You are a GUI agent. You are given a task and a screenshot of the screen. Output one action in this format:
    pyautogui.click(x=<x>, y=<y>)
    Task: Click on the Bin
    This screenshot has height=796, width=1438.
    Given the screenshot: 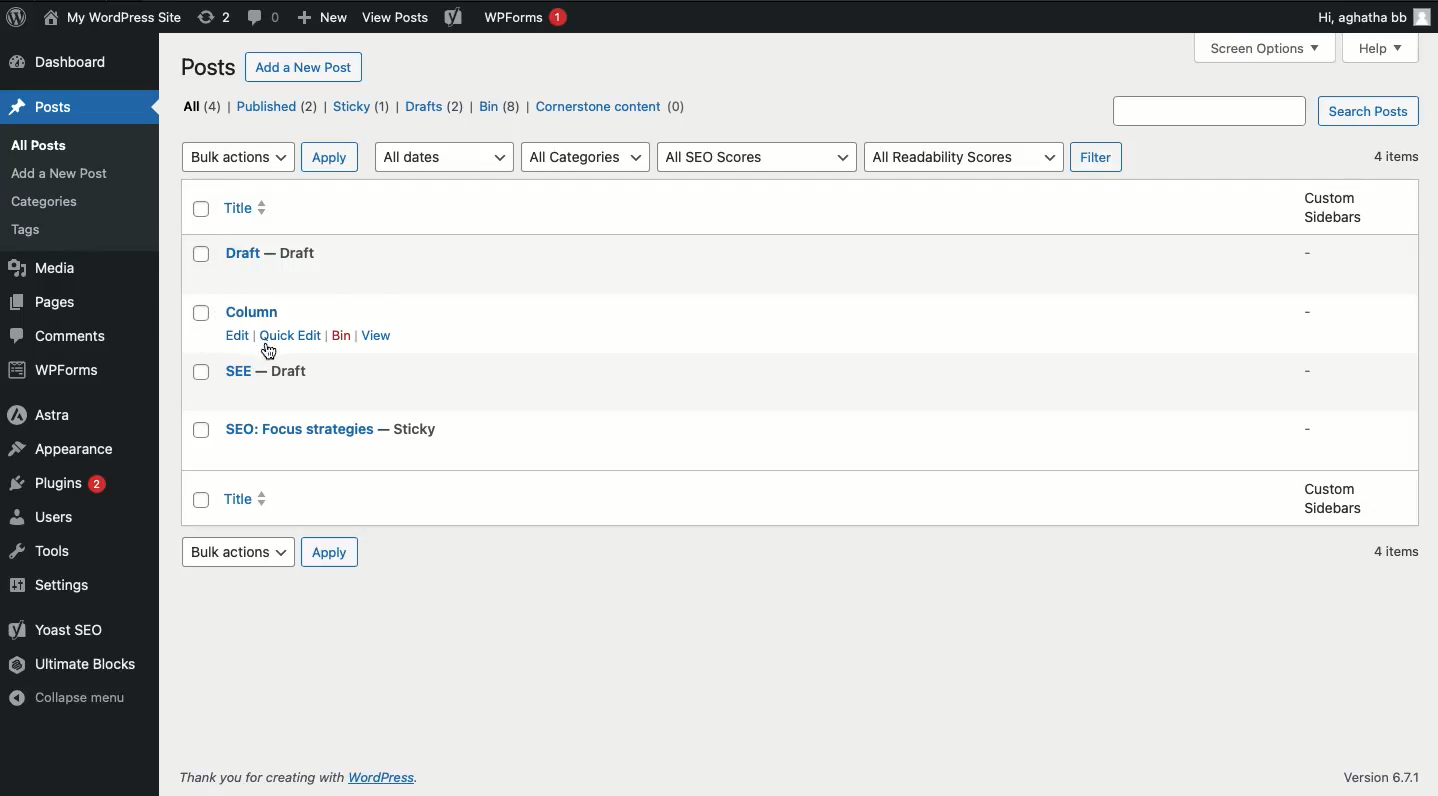 What is the action you would take?
    pyautogui.click(x=500, y=108)
    